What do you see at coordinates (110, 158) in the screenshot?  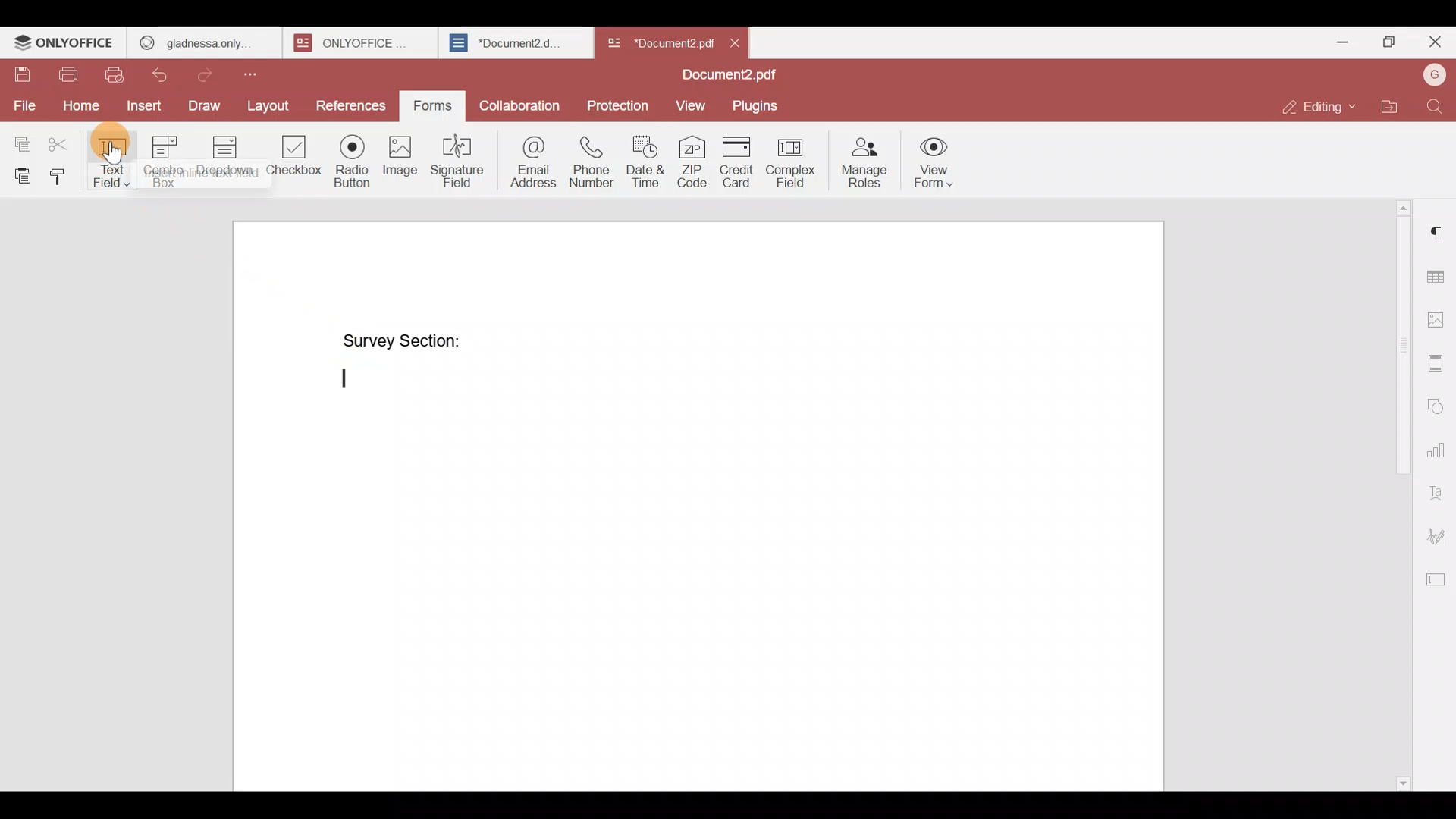 I see `Text field` at bounding box center [110, 158].